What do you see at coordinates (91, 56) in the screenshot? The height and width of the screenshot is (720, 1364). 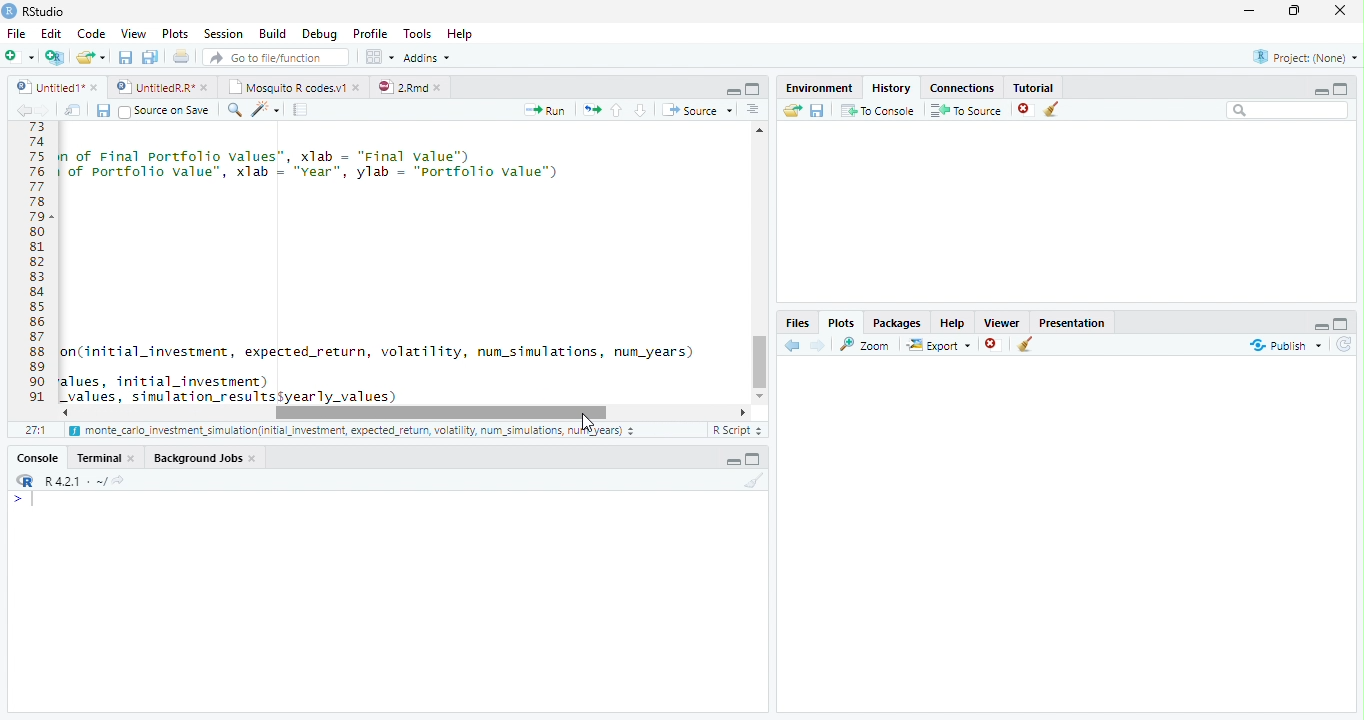 I see `Open an existing file` at bounding box center [91, 56].